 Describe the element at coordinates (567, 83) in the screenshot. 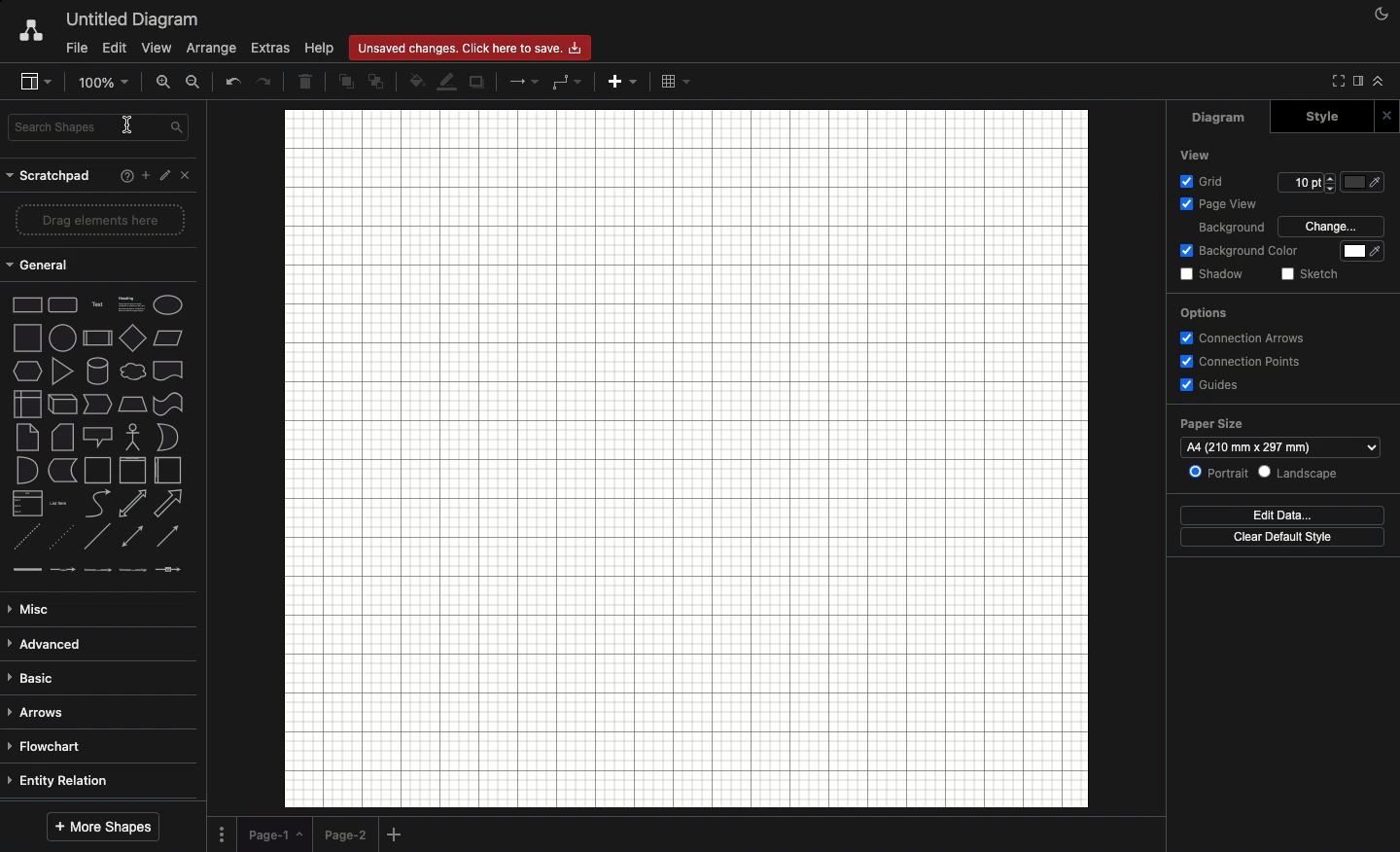

I see `Waypoints` at that location.